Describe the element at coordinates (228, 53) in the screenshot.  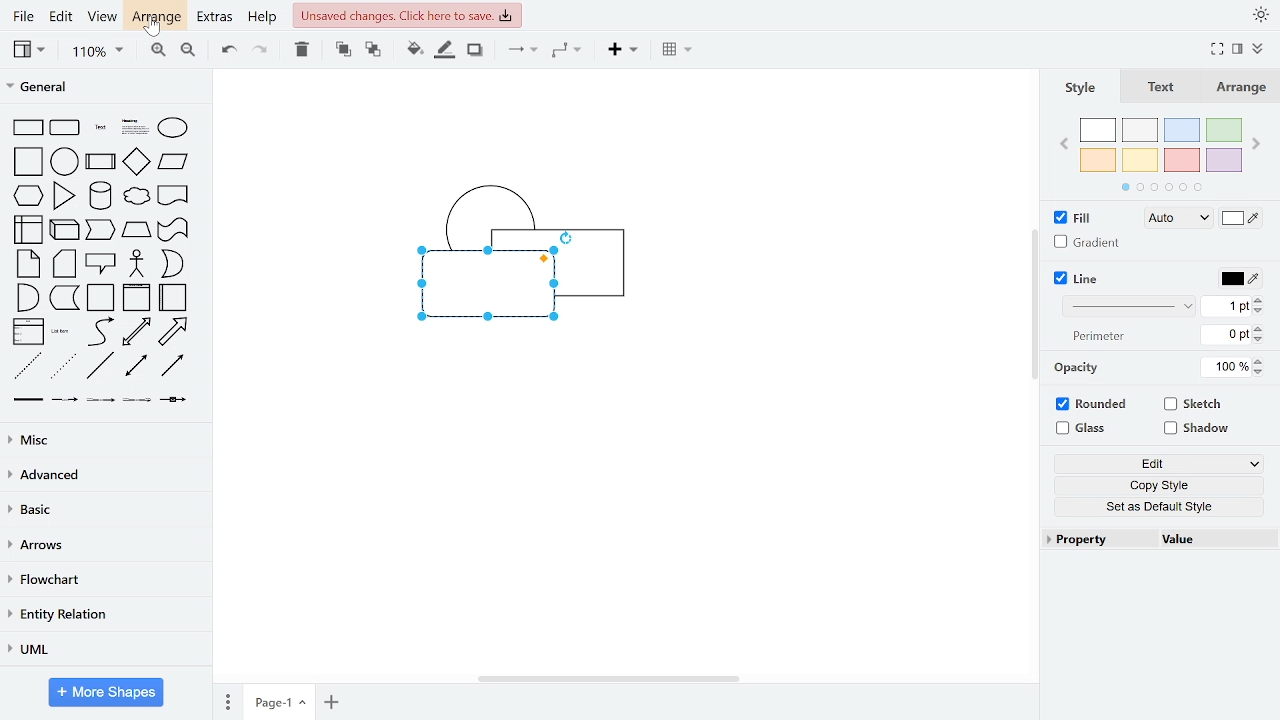
I see `undo` at that location.